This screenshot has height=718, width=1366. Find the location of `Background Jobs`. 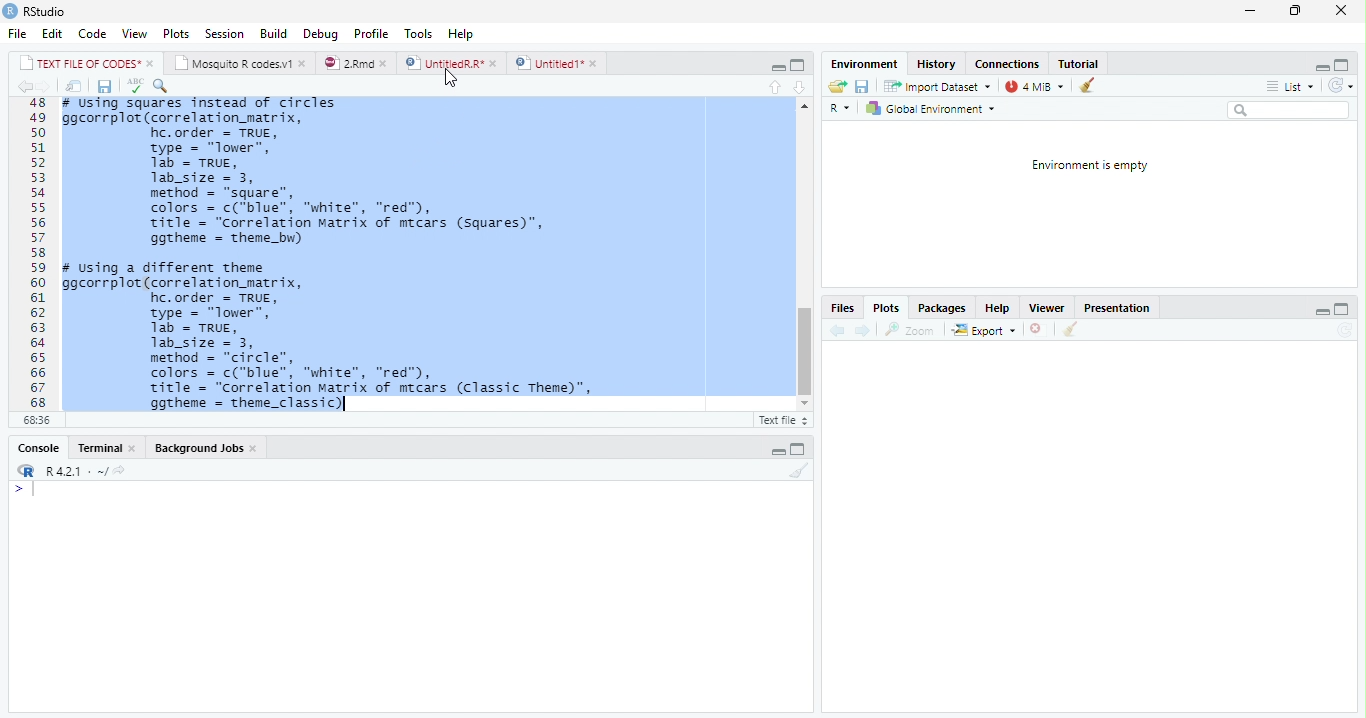

Background Jobs is located at coordinates (205, 450).